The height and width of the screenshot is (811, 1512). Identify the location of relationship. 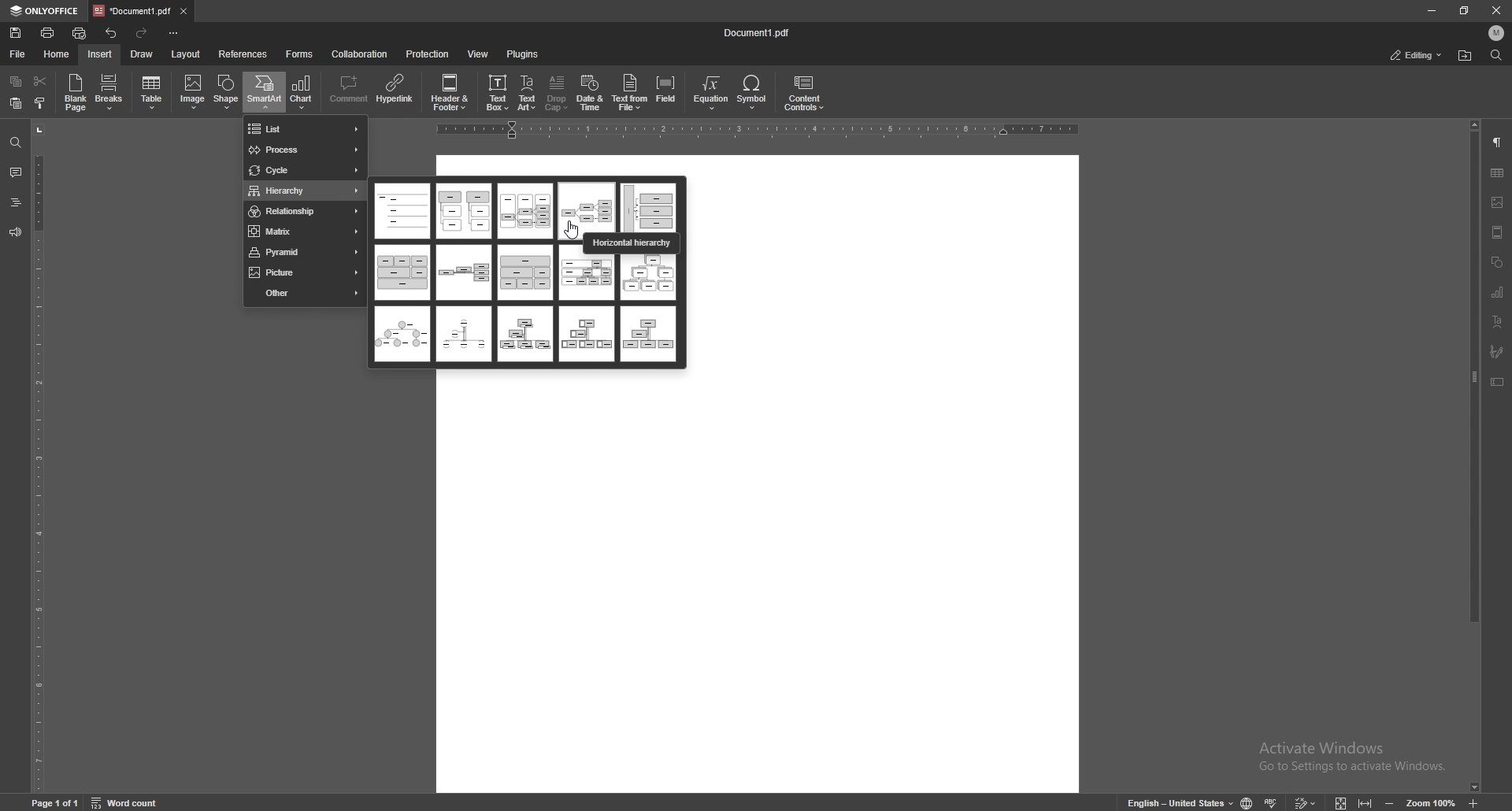
(304, 213).